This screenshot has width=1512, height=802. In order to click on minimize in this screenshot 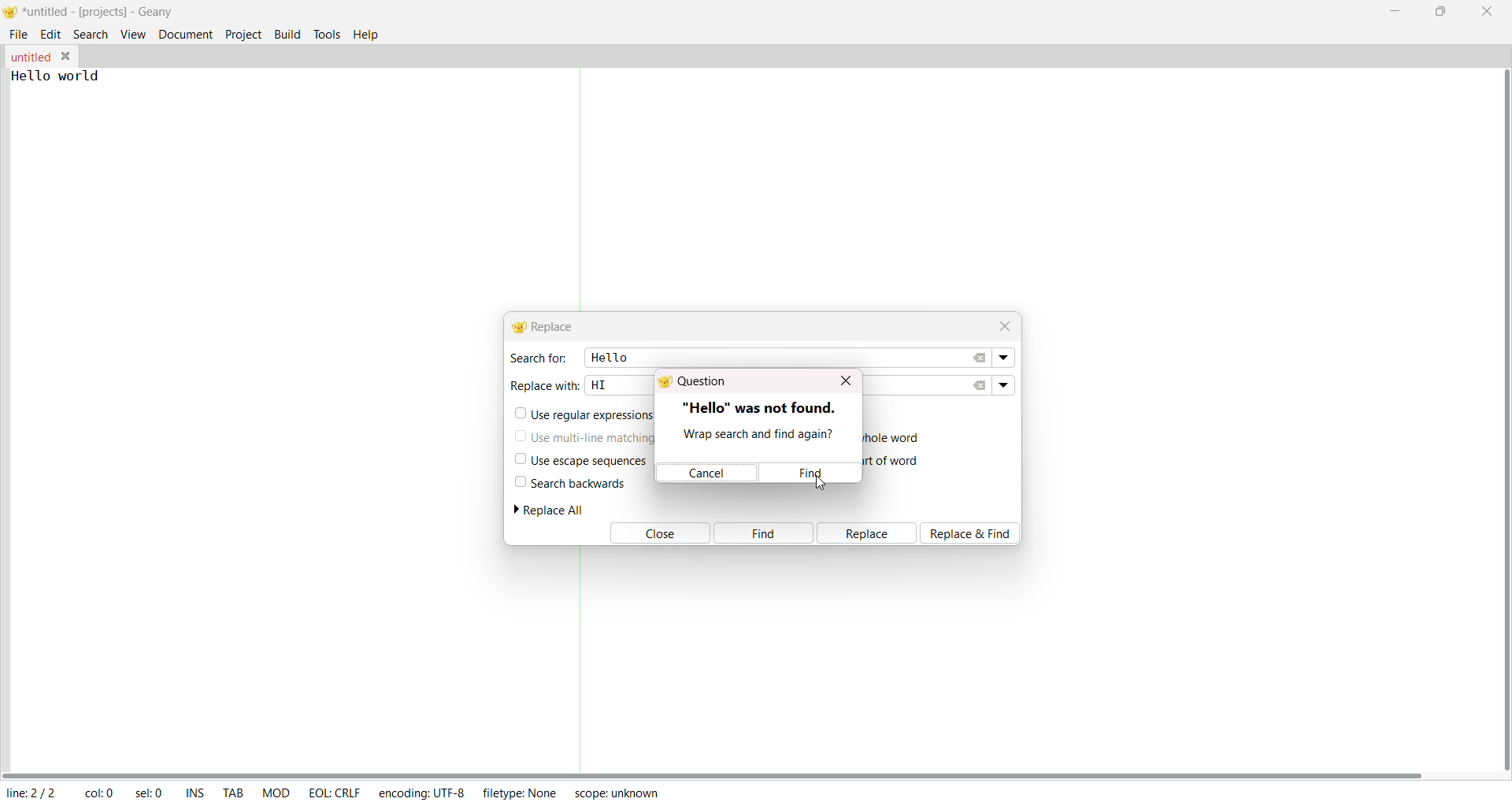, I will do `click(1399, 9)`.